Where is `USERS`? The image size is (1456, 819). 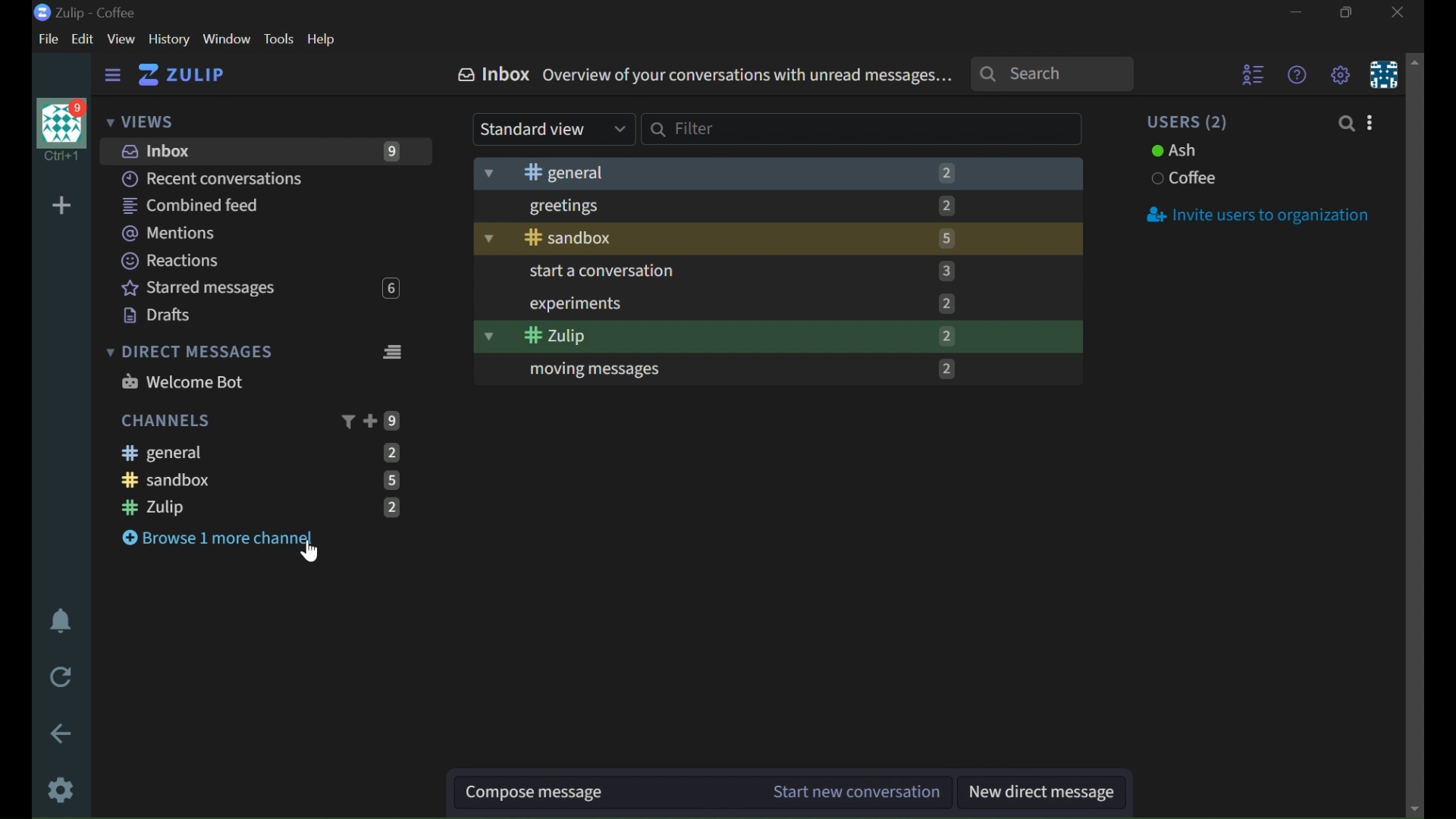 USERS is located at coordinates (1191, 119).